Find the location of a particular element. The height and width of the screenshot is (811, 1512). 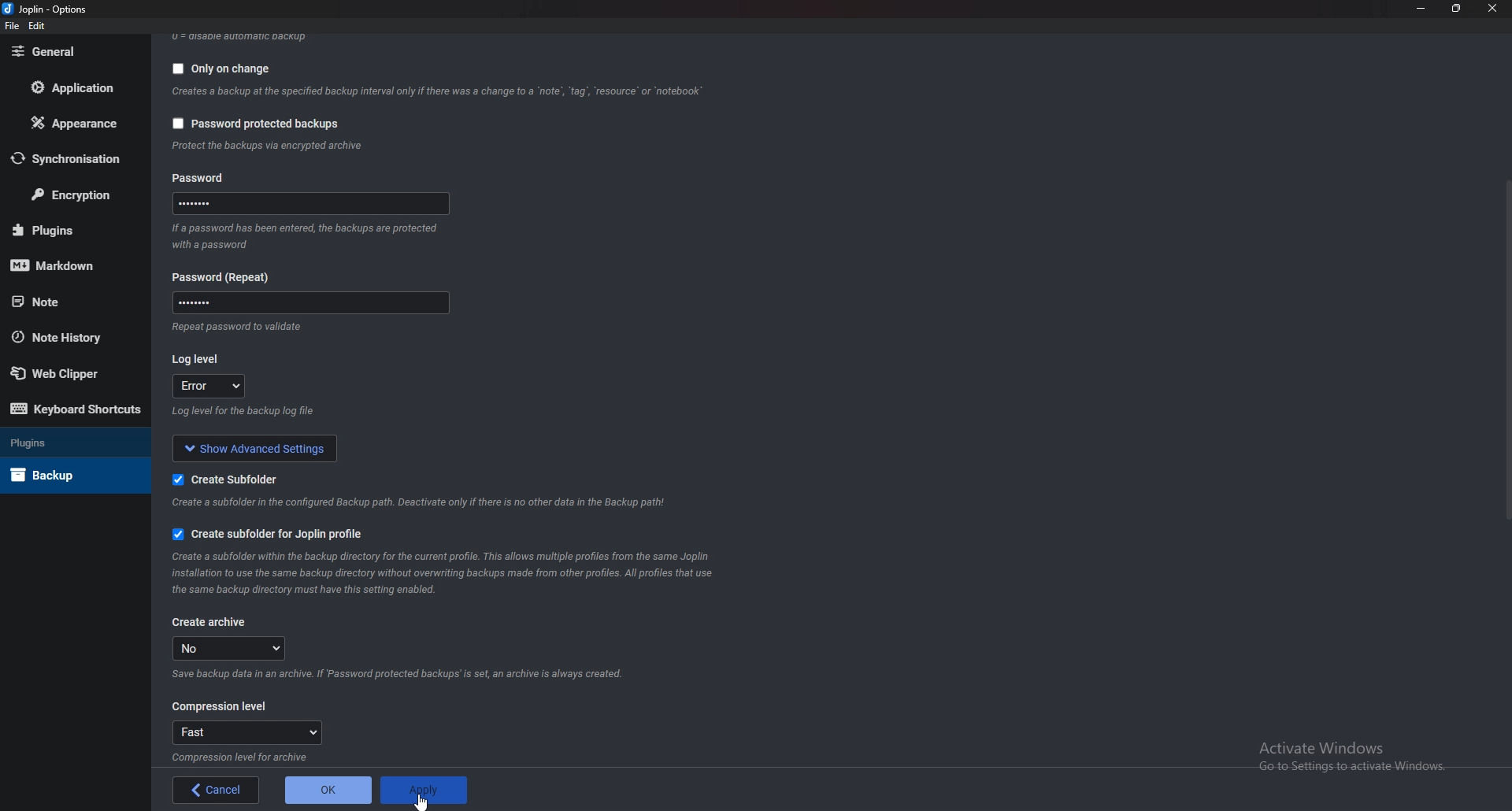

info is located at coordinates (268, 146).